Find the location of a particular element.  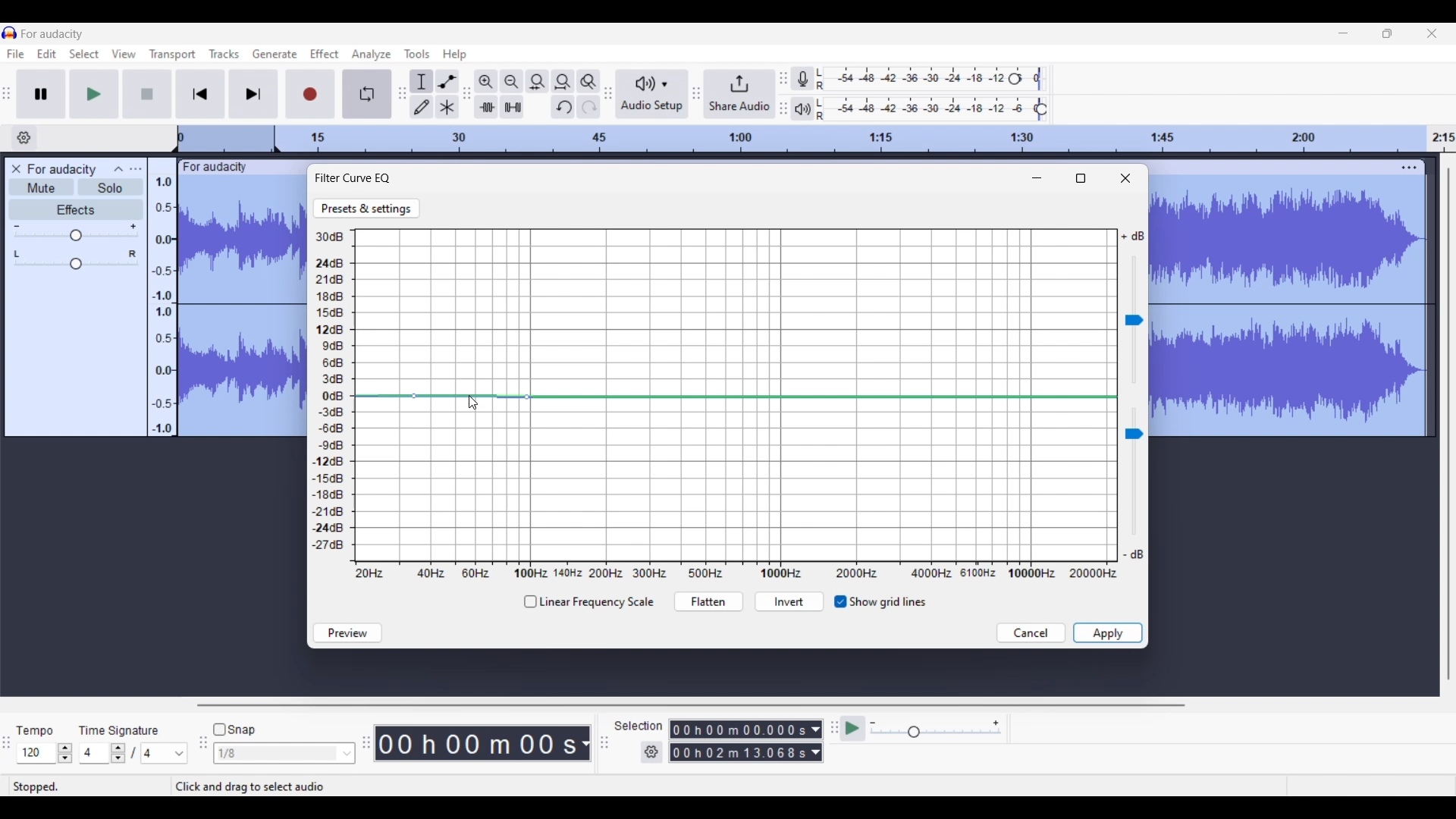

Fit project to width is located at coordinates (563, 82).